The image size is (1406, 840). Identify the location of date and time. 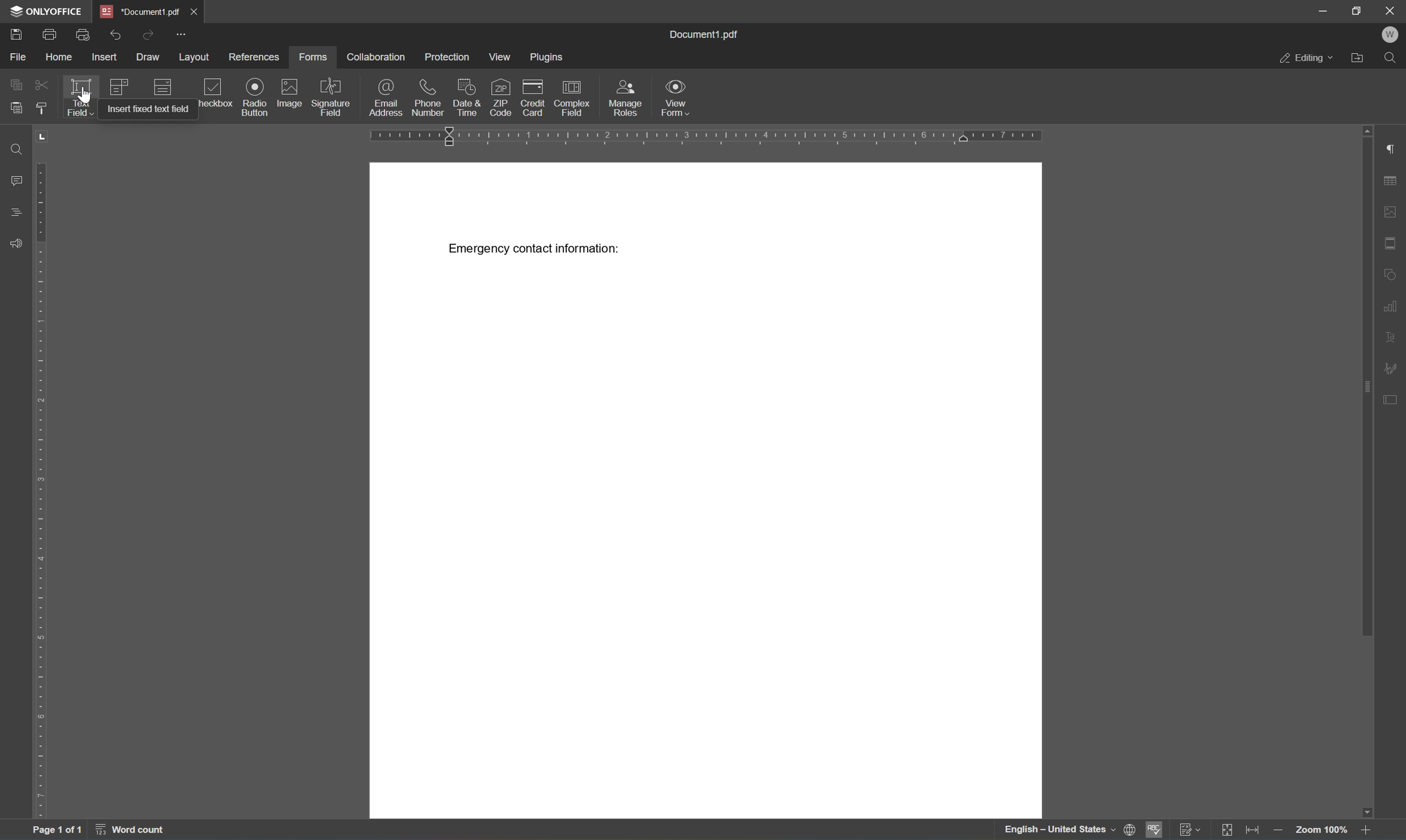
(469, 97).